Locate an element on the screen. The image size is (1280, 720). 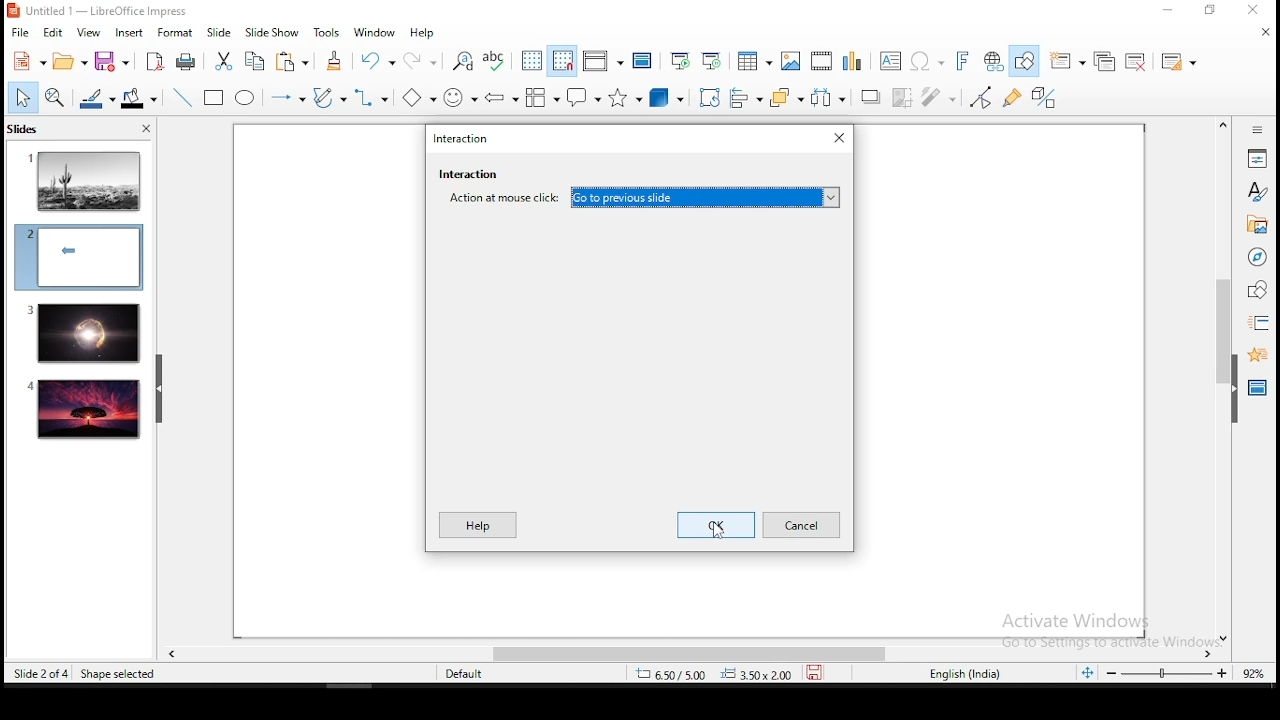
new slide is located at coordinates (1069, 60).